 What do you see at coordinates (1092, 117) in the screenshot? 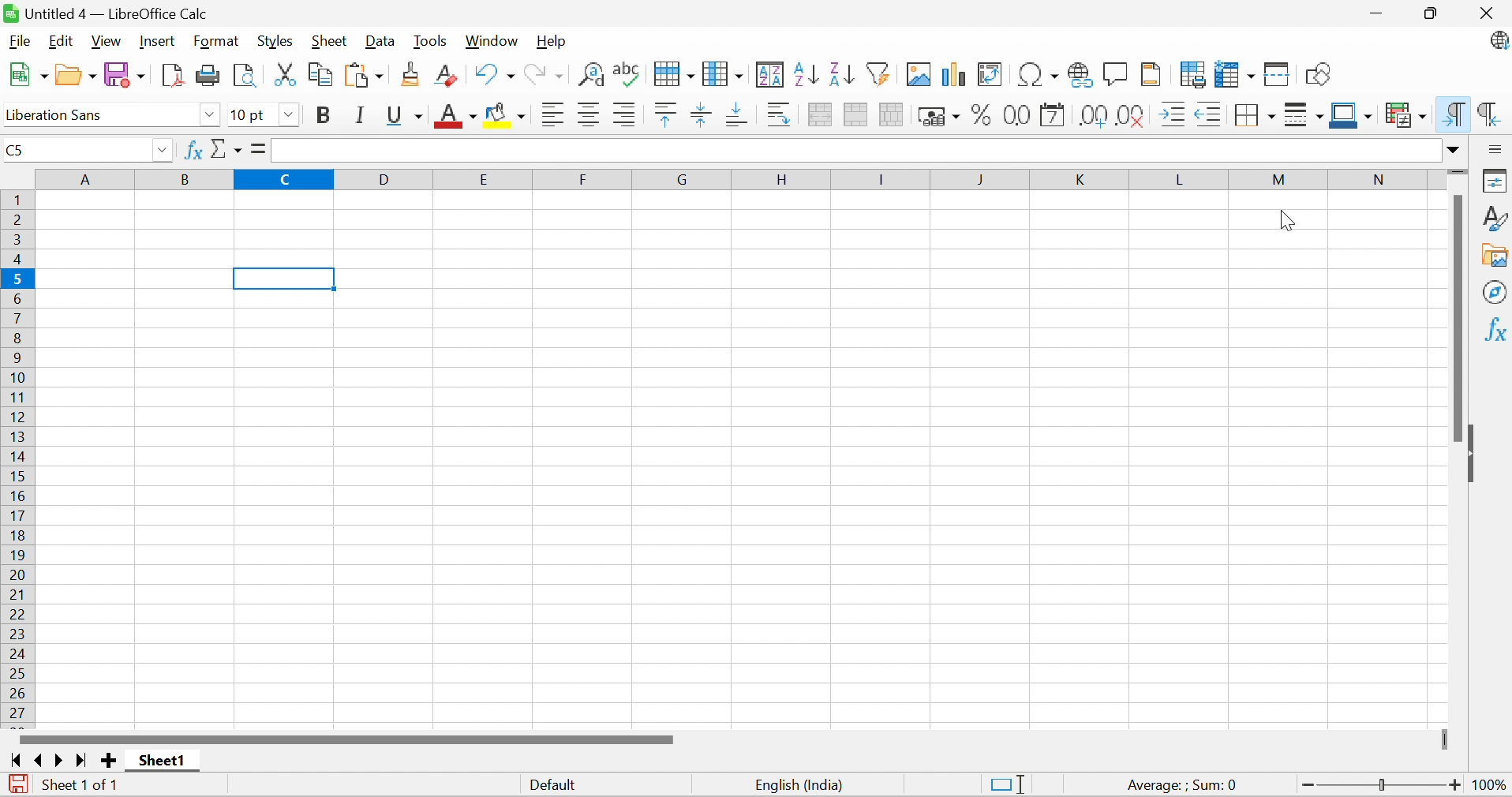
I see `Add decimal place` at bounding box center [1092, 117].